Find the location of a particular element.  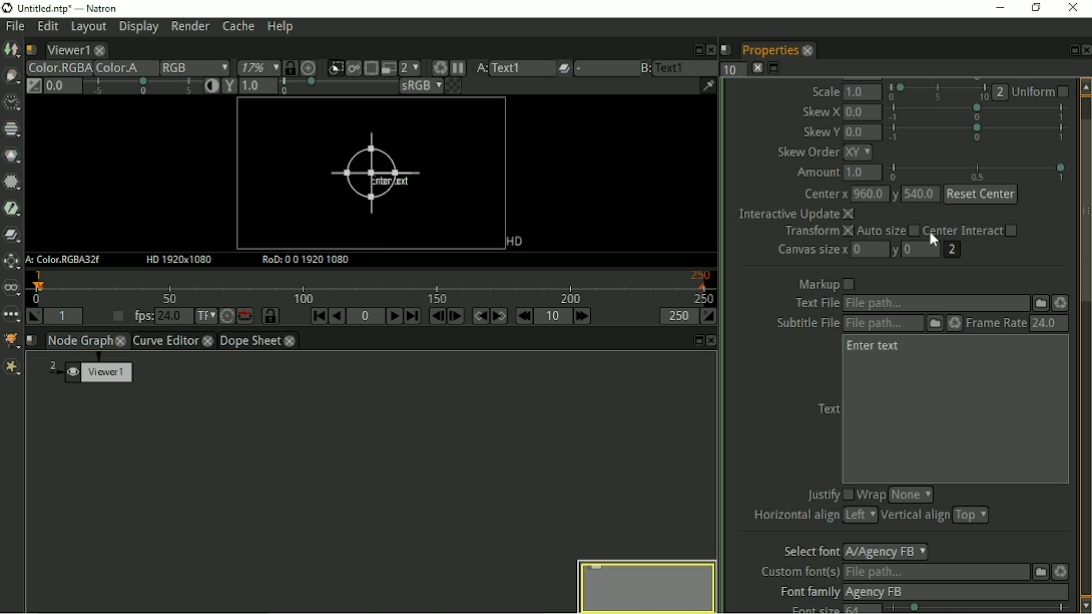

Canvas size is located at coordinates (810, 251).